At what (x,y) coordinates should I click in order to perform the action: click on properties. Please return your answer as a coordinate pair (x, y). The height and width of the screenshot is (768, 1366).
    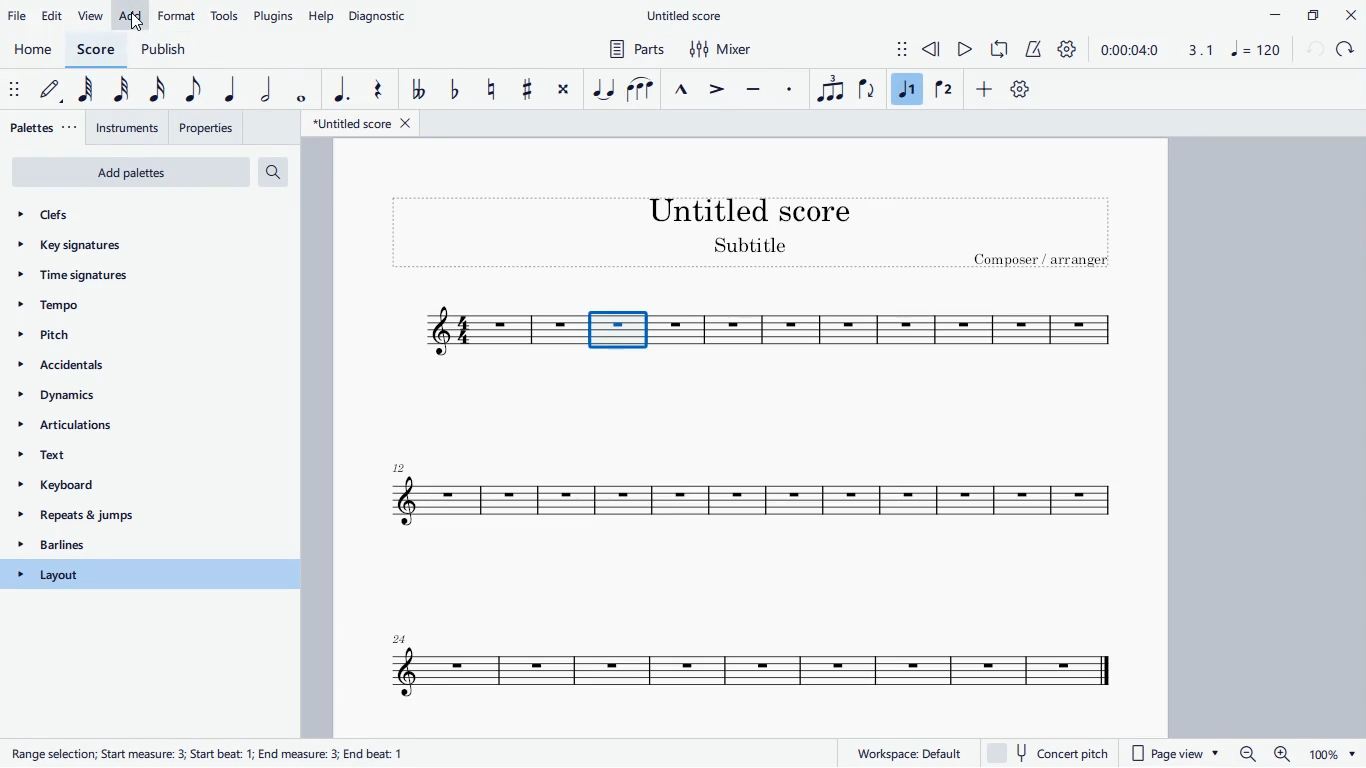
    Looking at the image, I should click on (208, 126).